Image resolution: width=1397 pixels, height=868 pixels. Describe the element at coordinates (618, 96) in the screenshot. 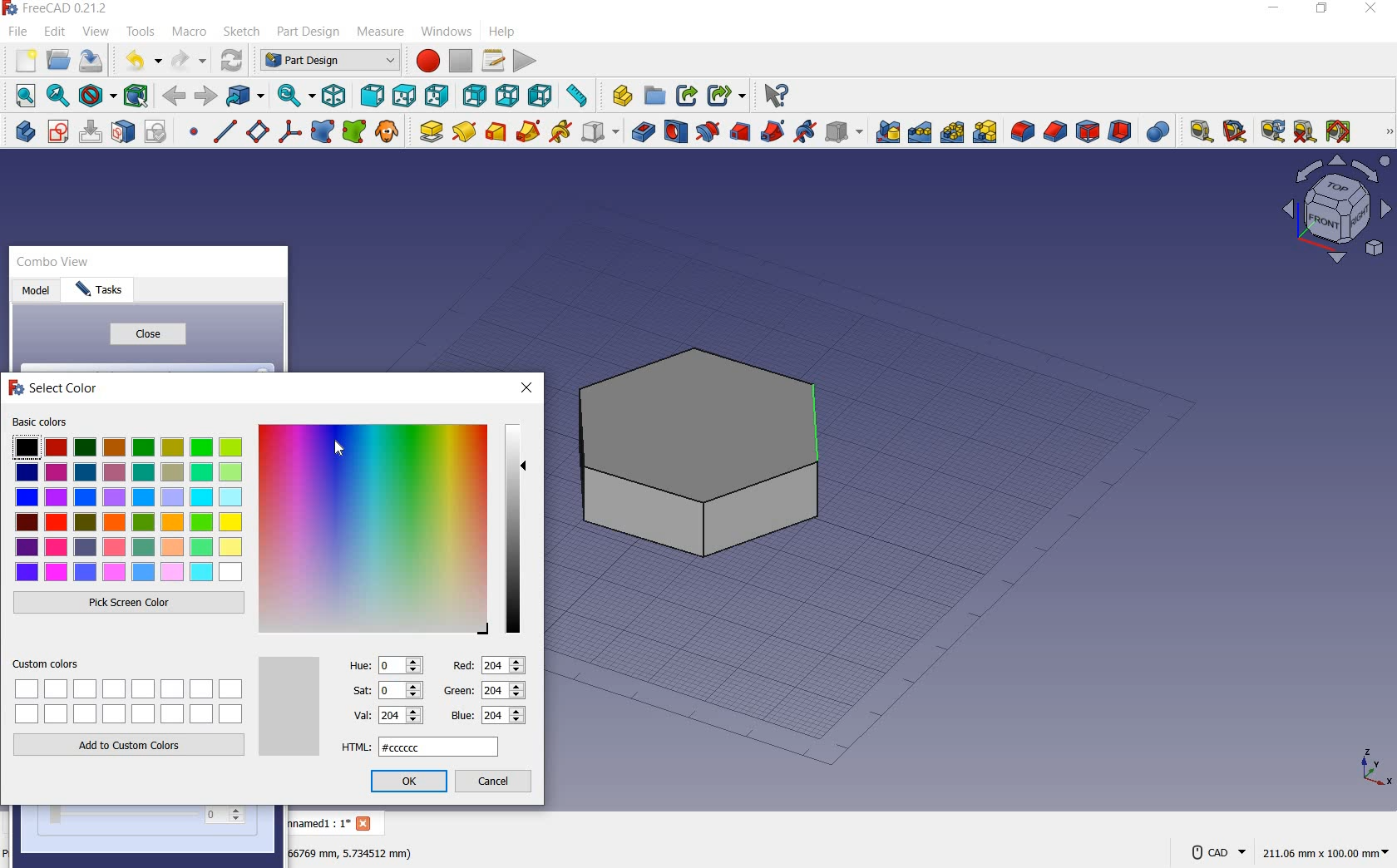

I see `create part` at that location.